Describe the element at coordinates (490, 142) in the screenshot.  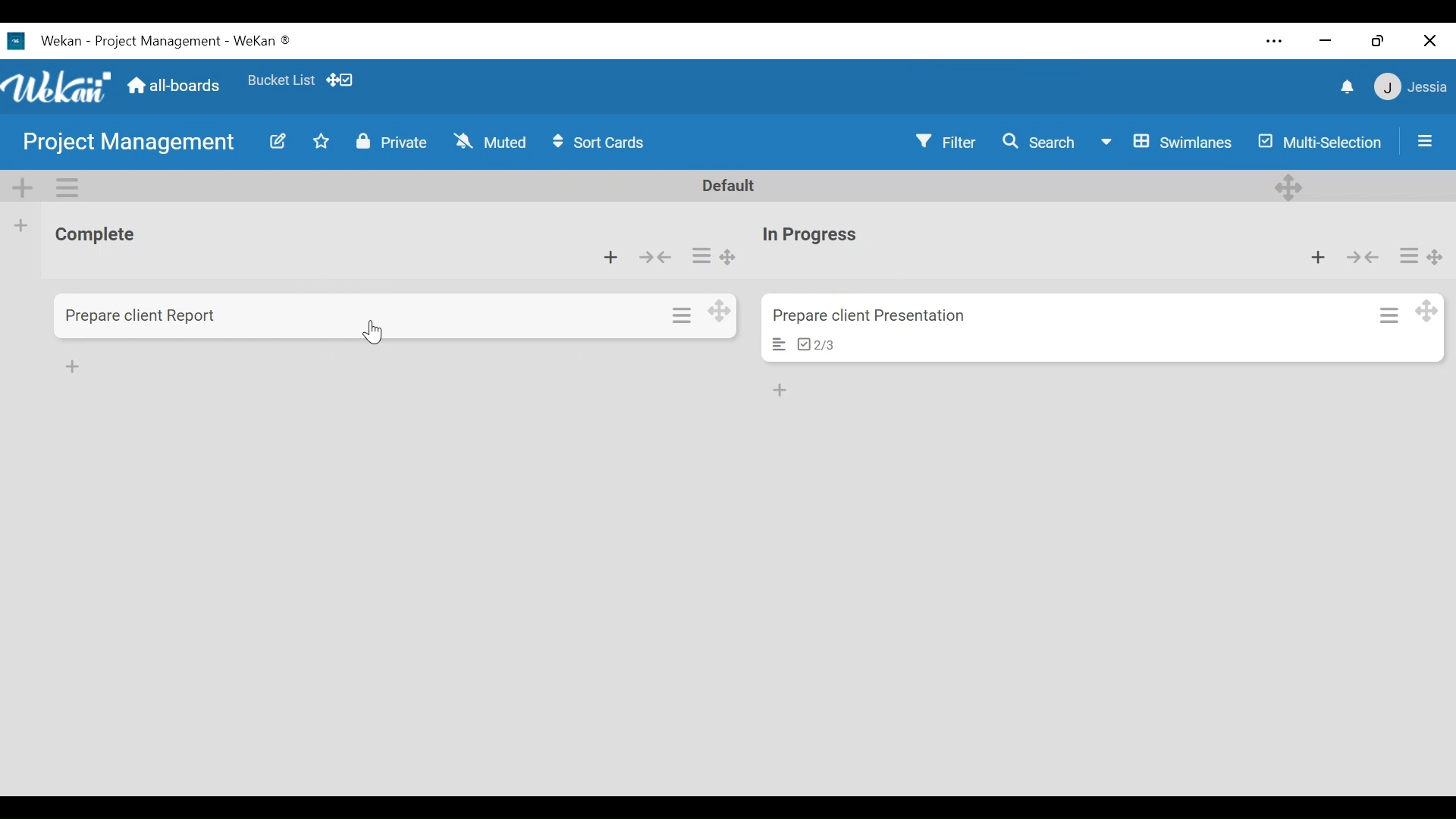
I see `Muted` at that location.